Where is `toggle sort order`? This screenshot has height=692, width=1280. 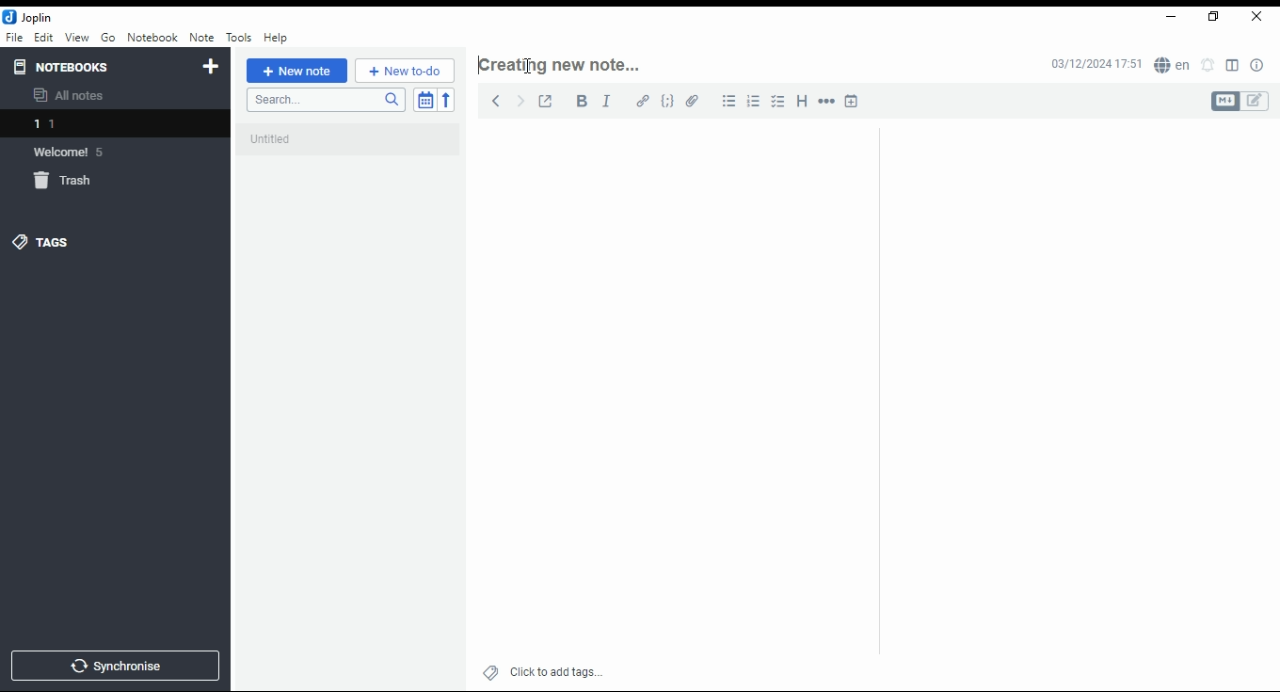 toggle sort order is located at coordinates (424, 99).